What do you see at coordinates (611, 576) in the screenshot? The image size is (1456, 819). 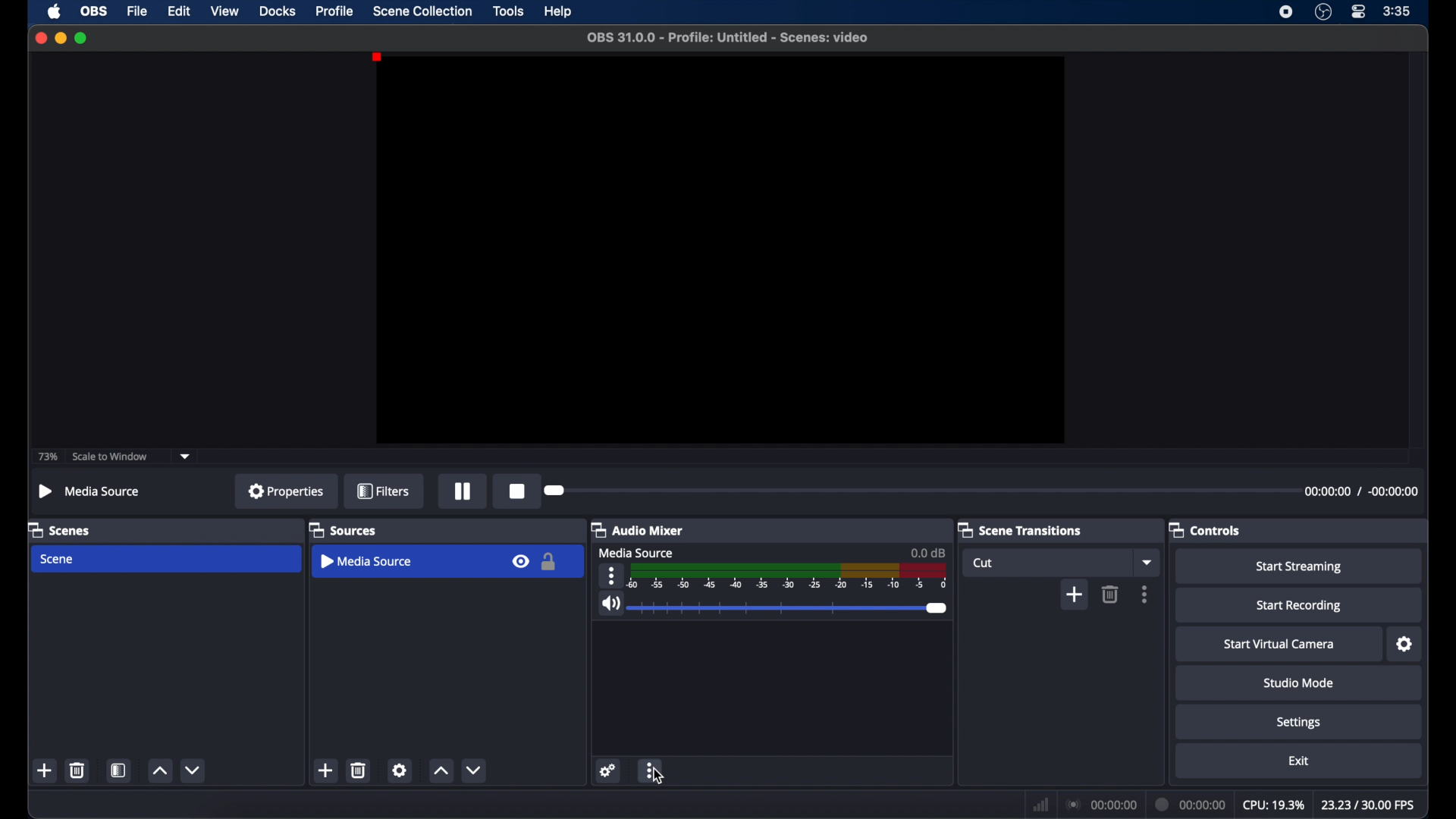 I see `more options` at bounding box center [611, 576].